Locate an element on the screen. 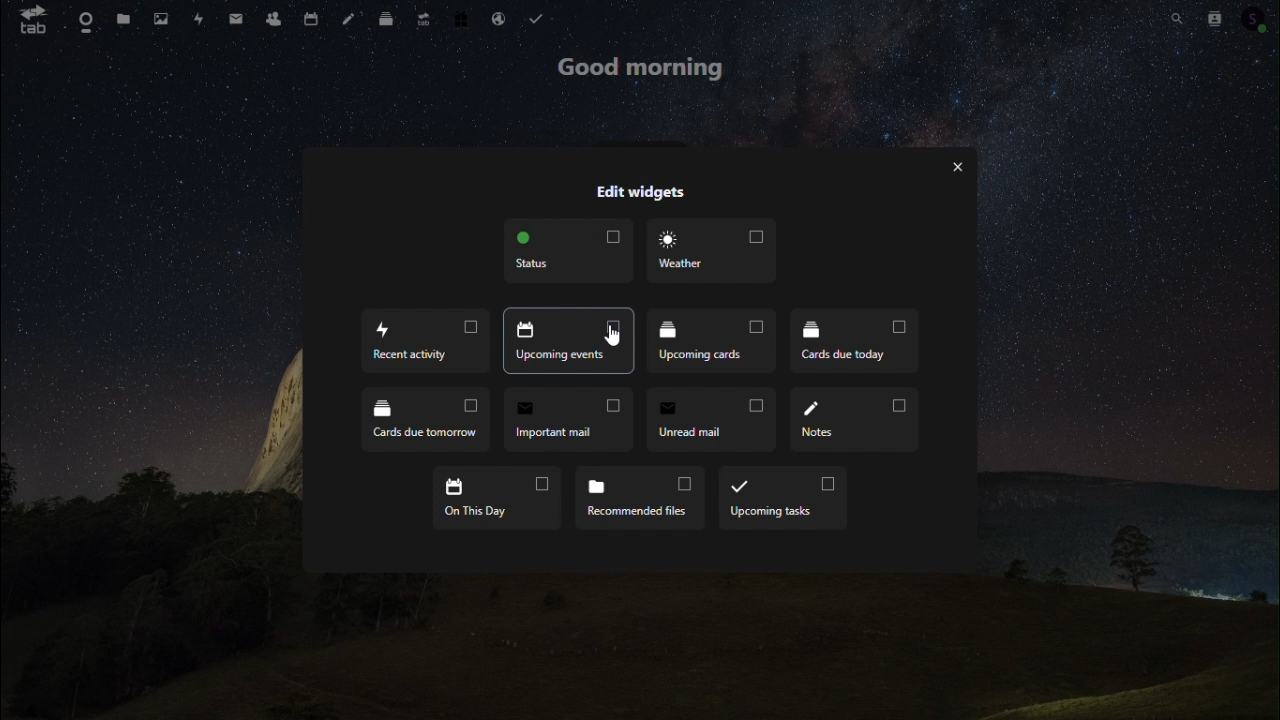  Upcoming cards is located at coordinates (709, 338).